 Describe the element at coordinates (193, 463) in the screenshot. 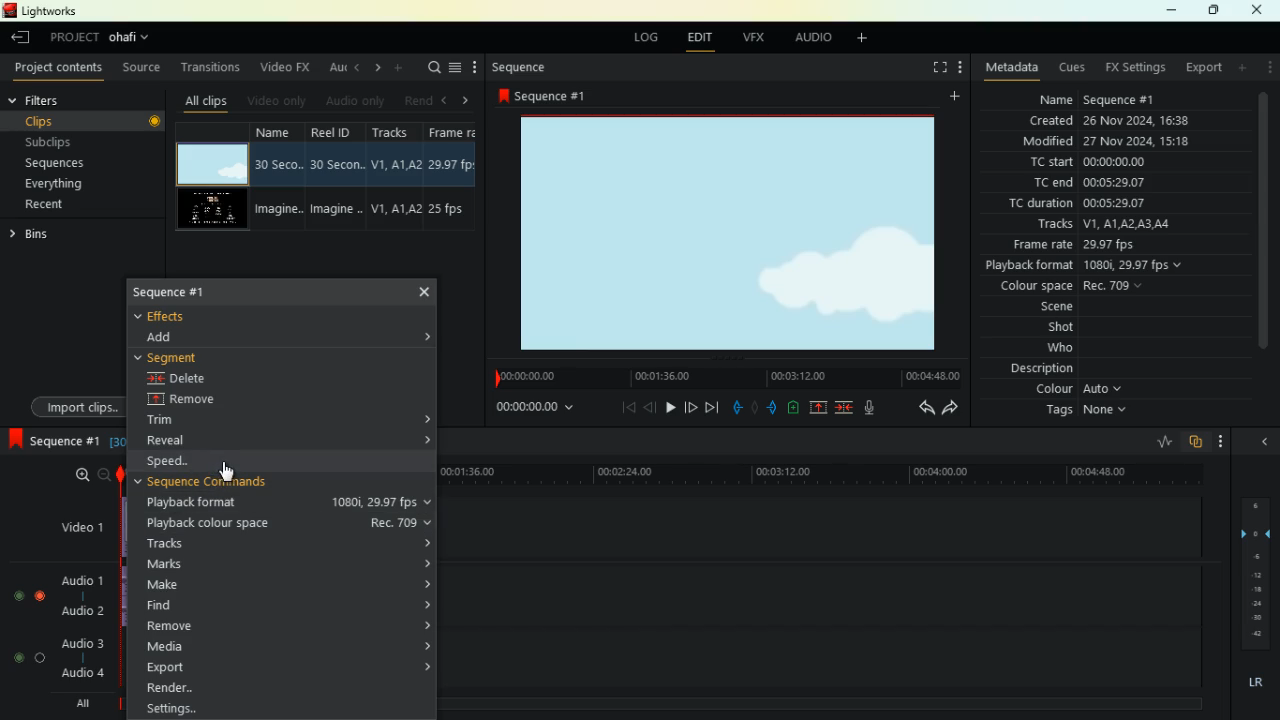

I see `speed` at that location.